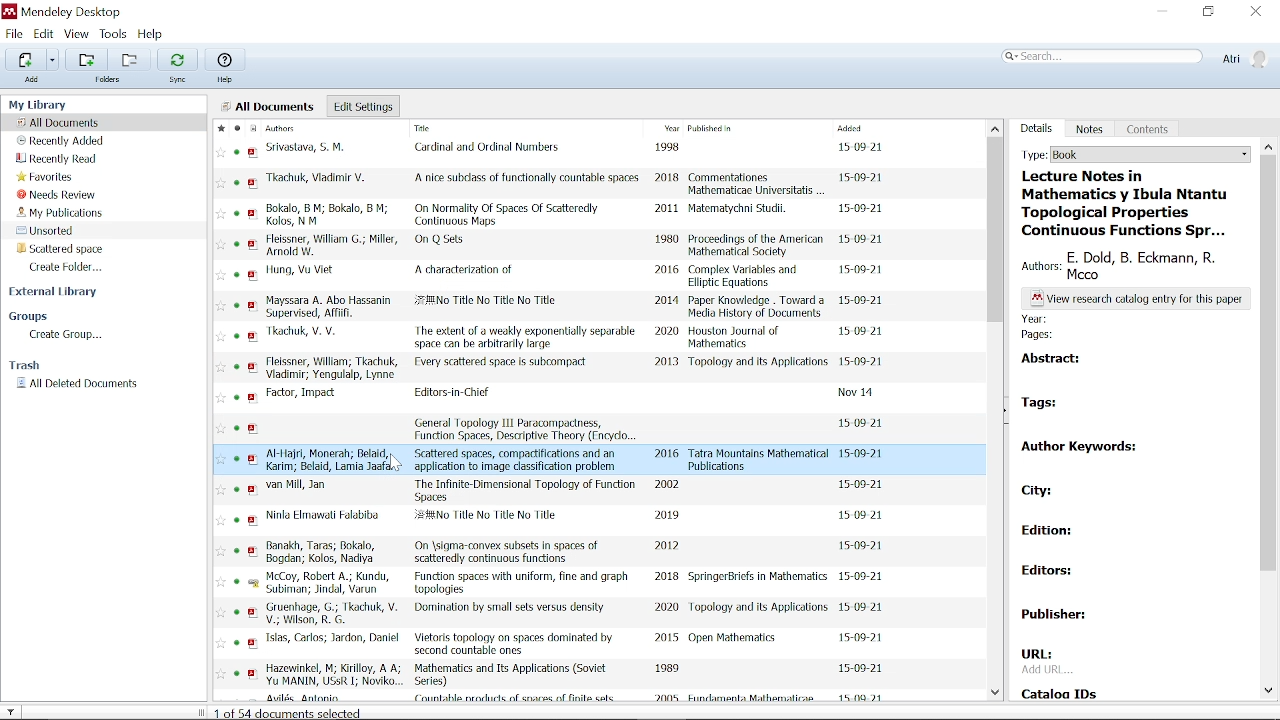 The height and width of the screenshot is (720, 1280). I want to click on help, so click(227, 80).